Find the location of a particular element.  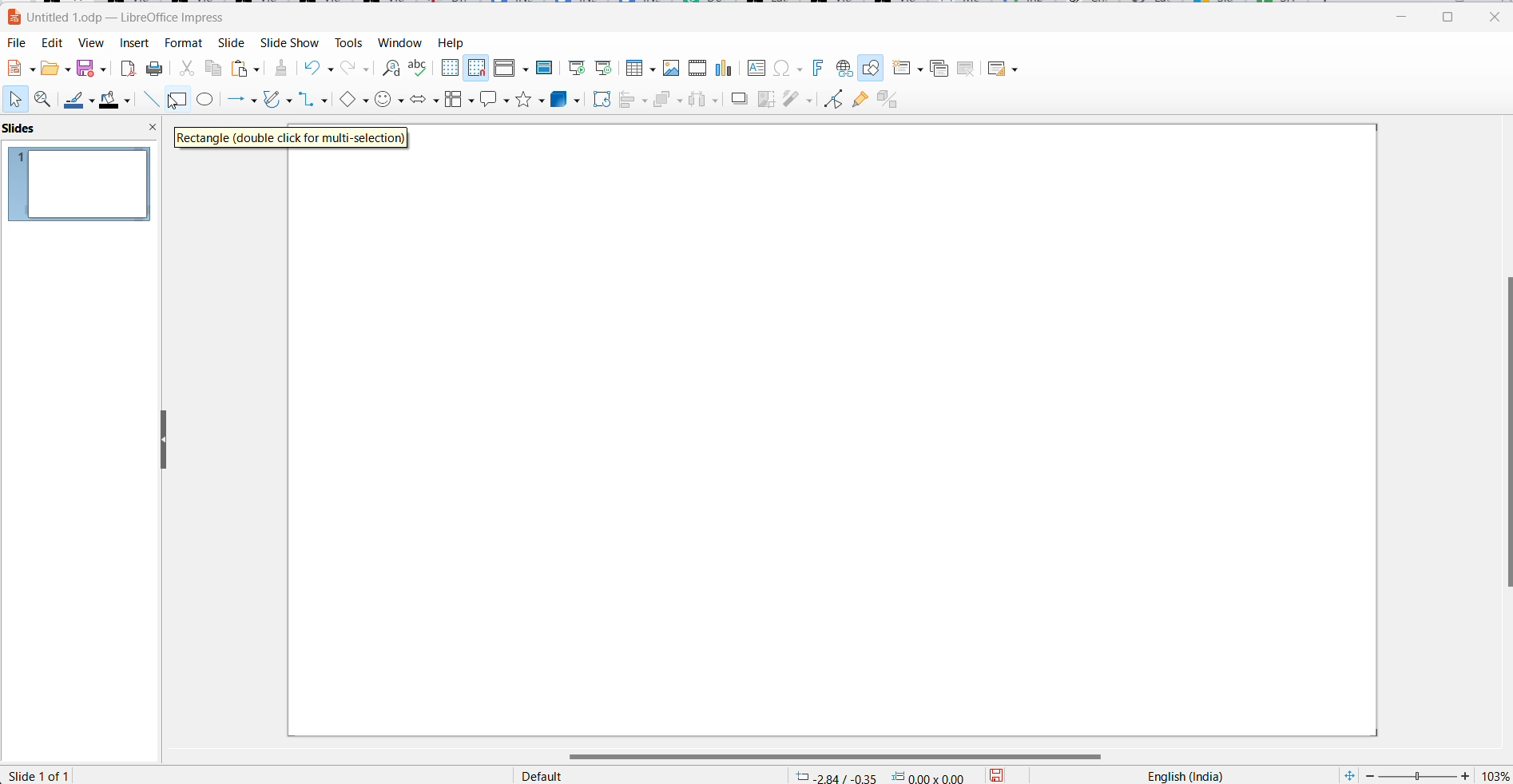

cut is located at coordinates (186, 71).